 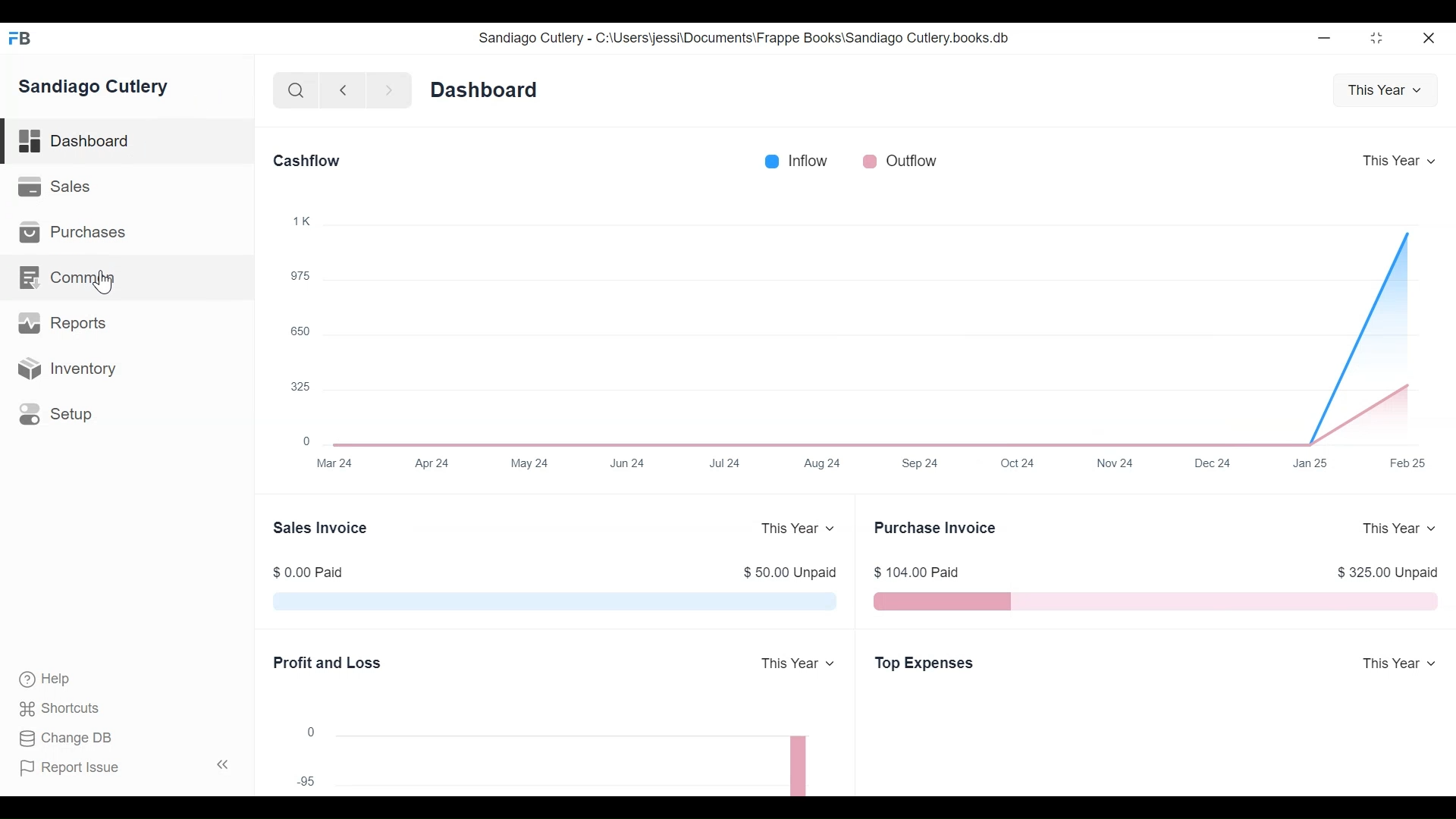 I want to click on Feb 25, so click(x=1404, y=463).